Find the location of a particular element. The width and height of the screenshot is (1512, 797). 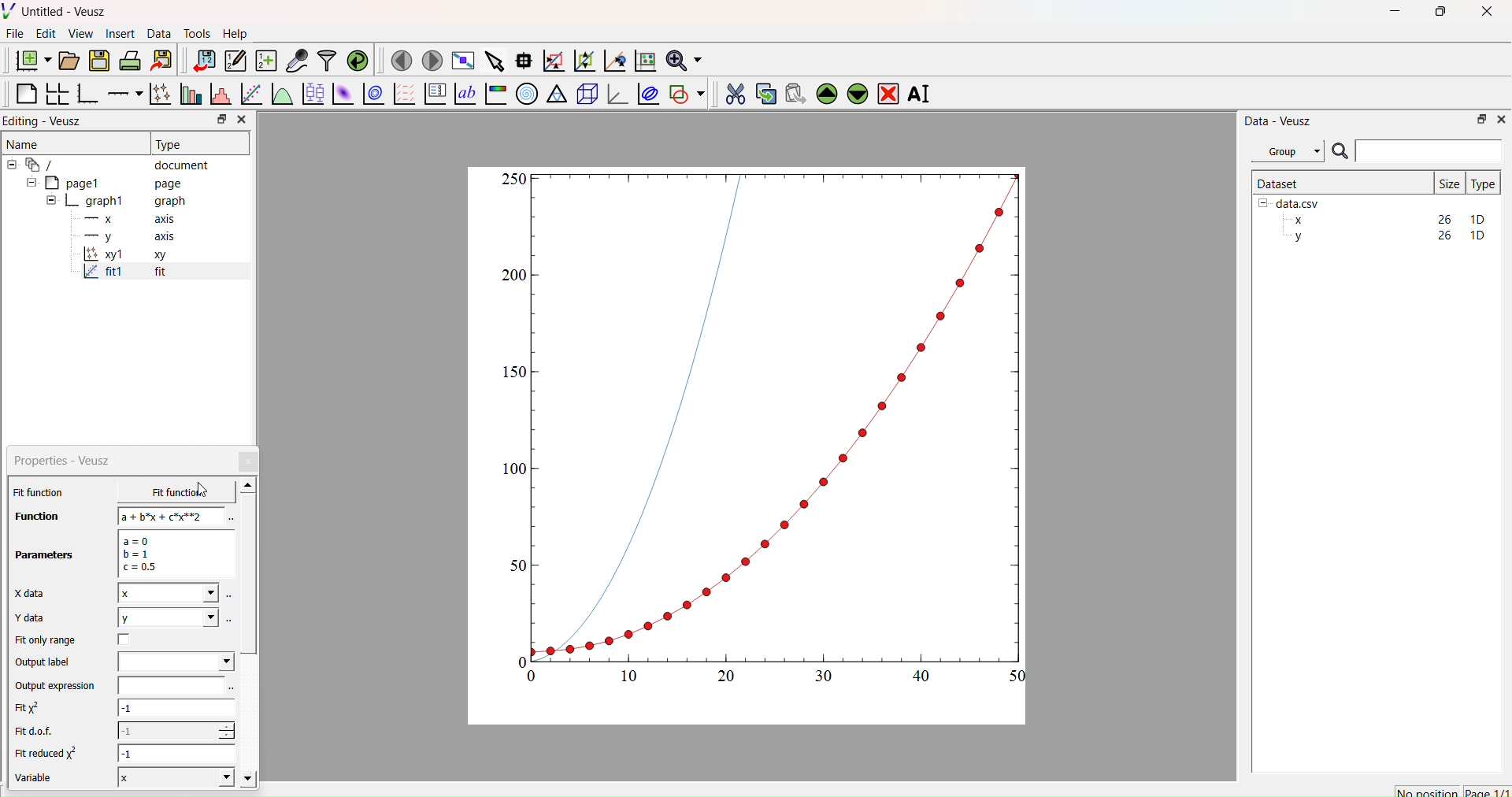

Capture remote data is located at coordinates (297, 61).